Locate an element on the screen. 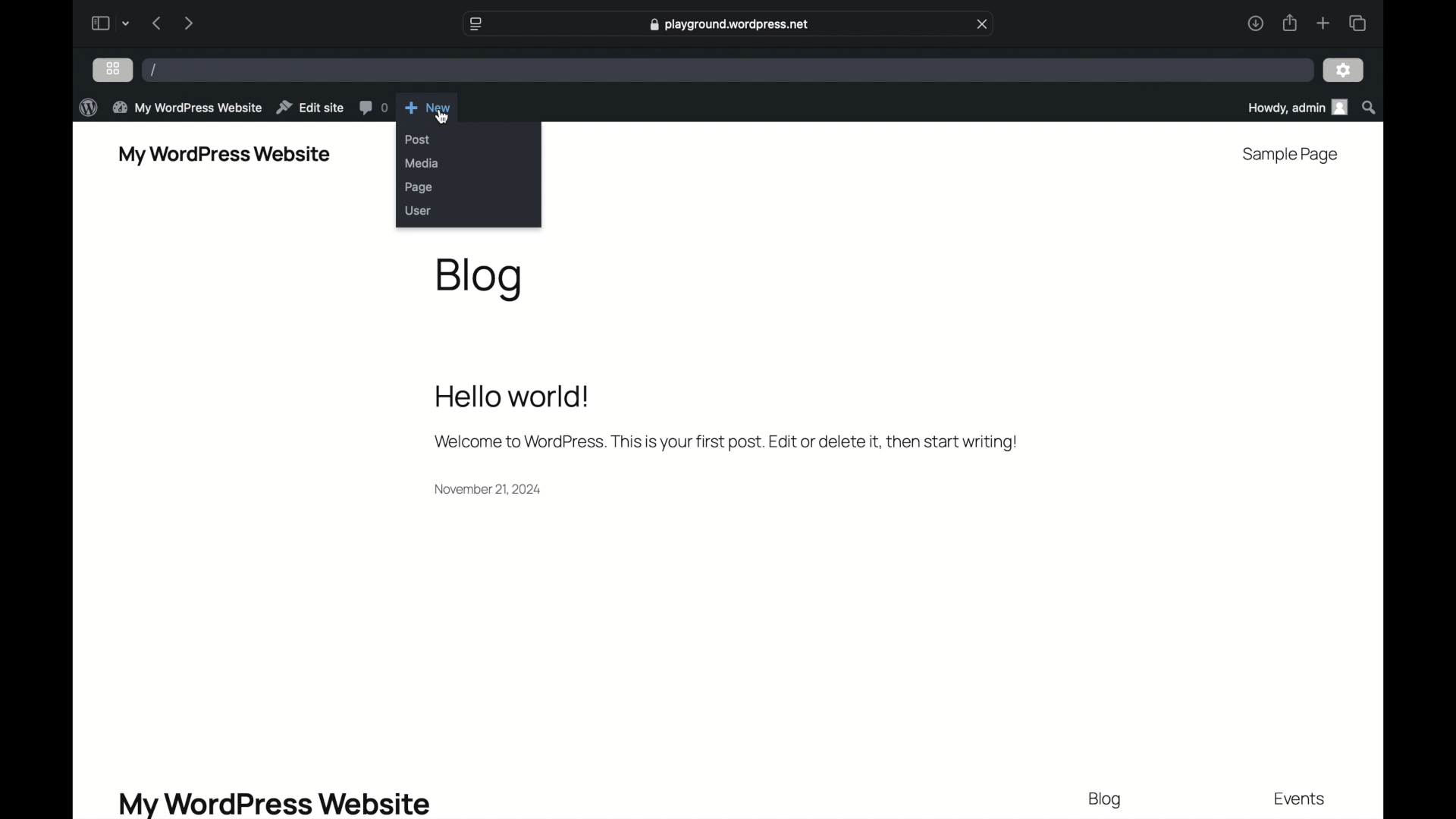 This screenshot has width=1456, height=819. media is located at coordinates (422, 163).